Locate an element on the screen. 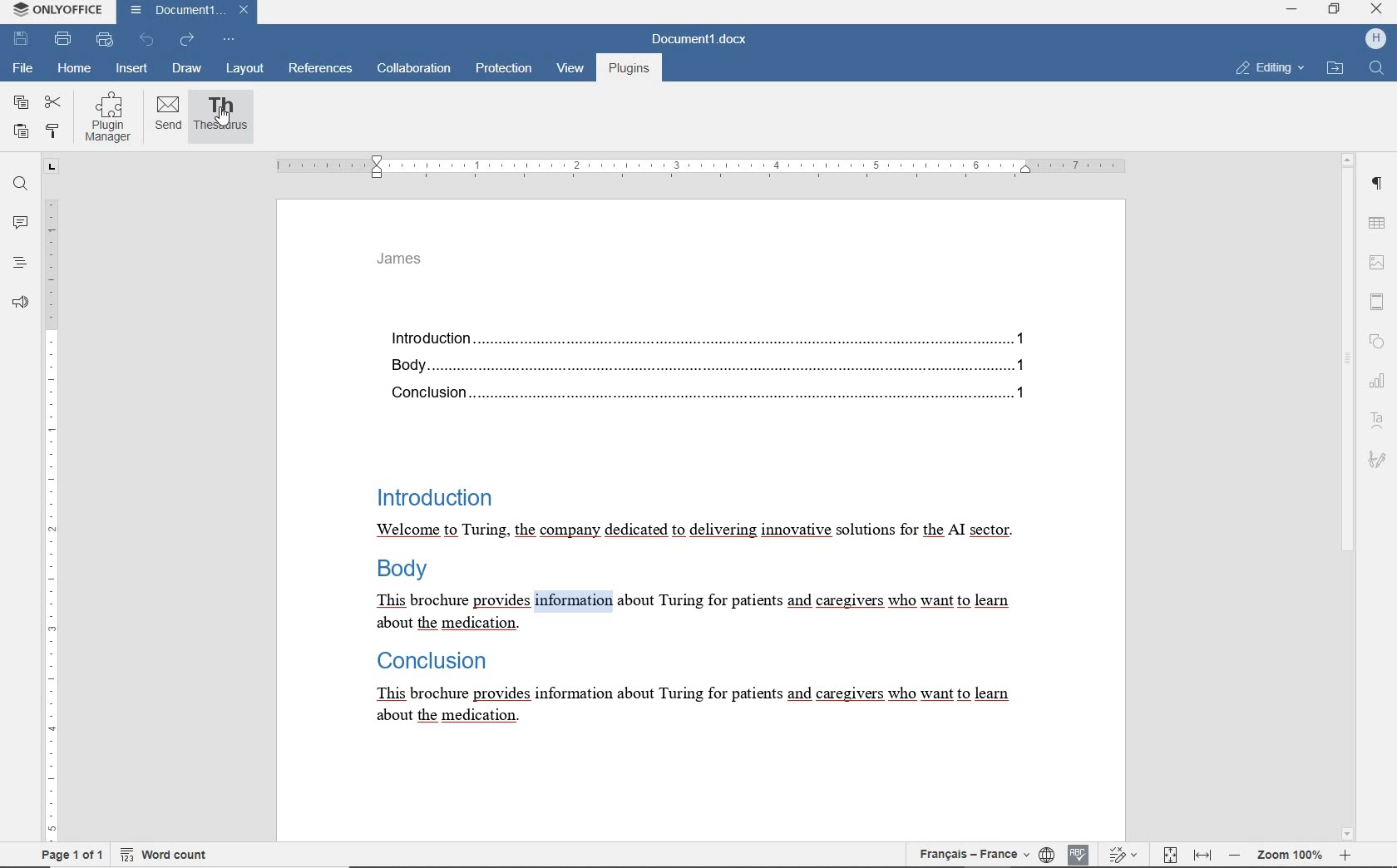  Body is located at coordinates (405, 572).